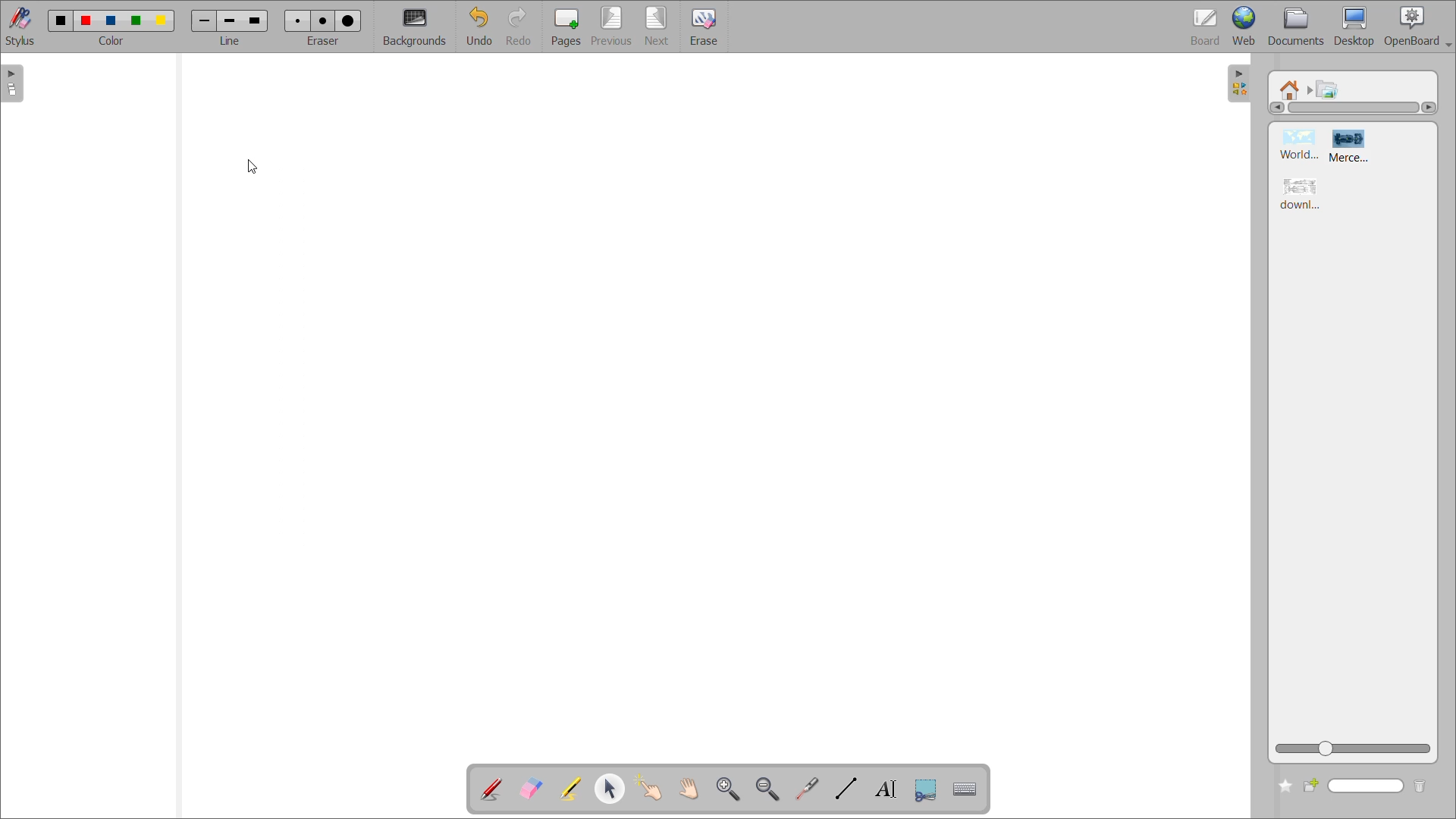 The height and width of the screenshot is (819, 1456). I want to click on eraser 2, so click(323, 21).